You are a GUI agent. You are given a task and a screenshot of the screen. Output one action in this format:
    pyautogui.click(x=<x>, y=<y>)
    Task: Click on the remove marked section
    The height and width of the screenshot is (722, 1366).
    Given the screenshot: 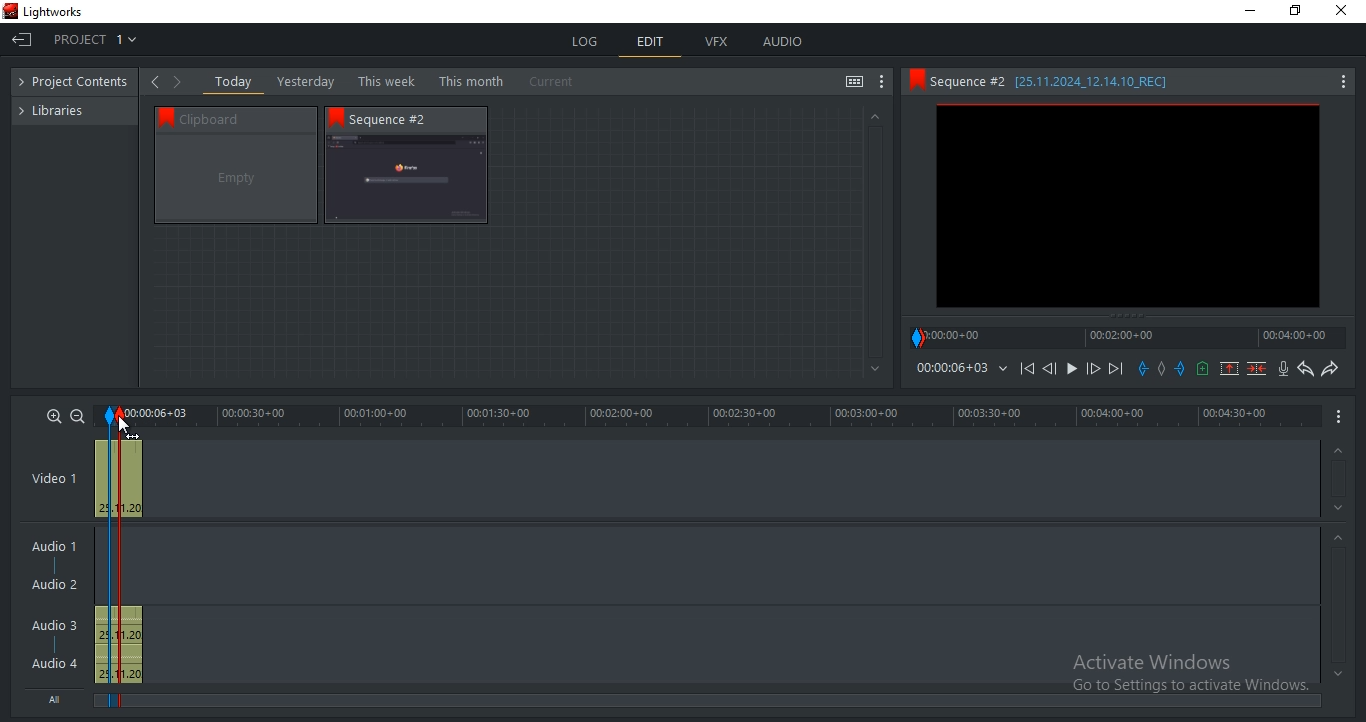 What is the action you would take?
    pyautogui.click(x=1229, y=367)
    